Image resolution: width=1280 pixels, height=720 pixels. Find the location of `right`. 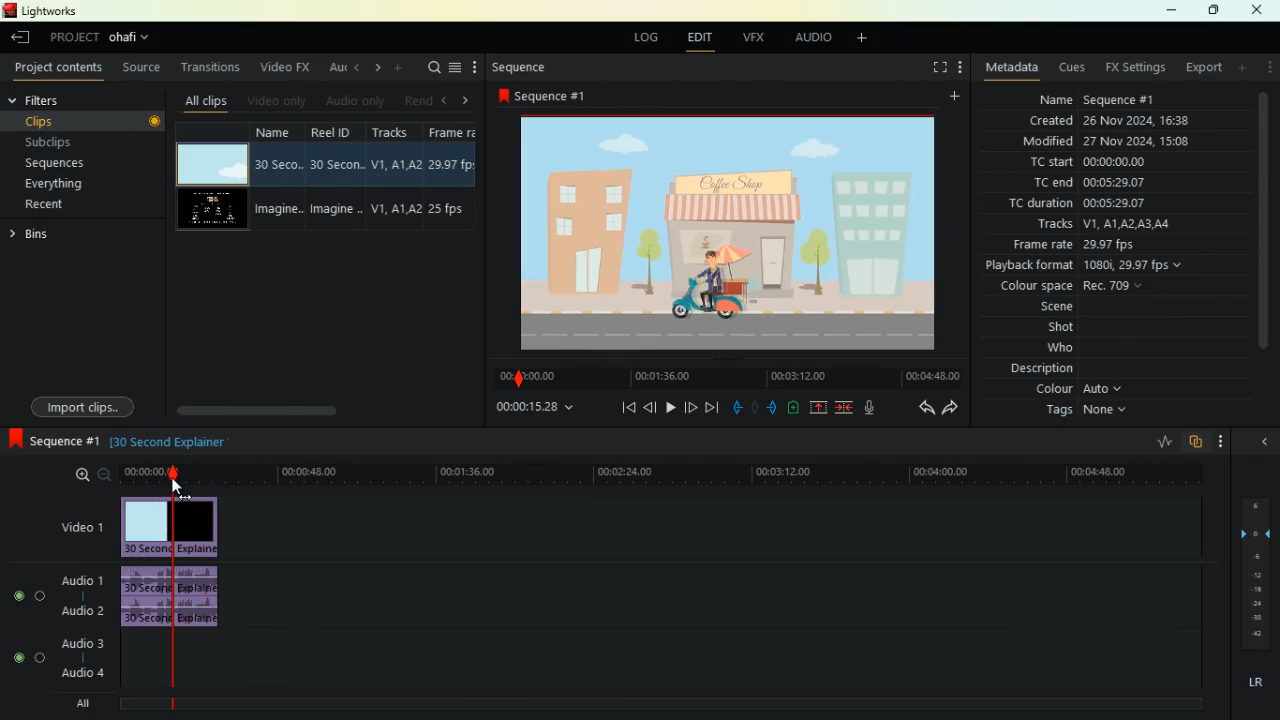

right is located at coordinates (468, 102).